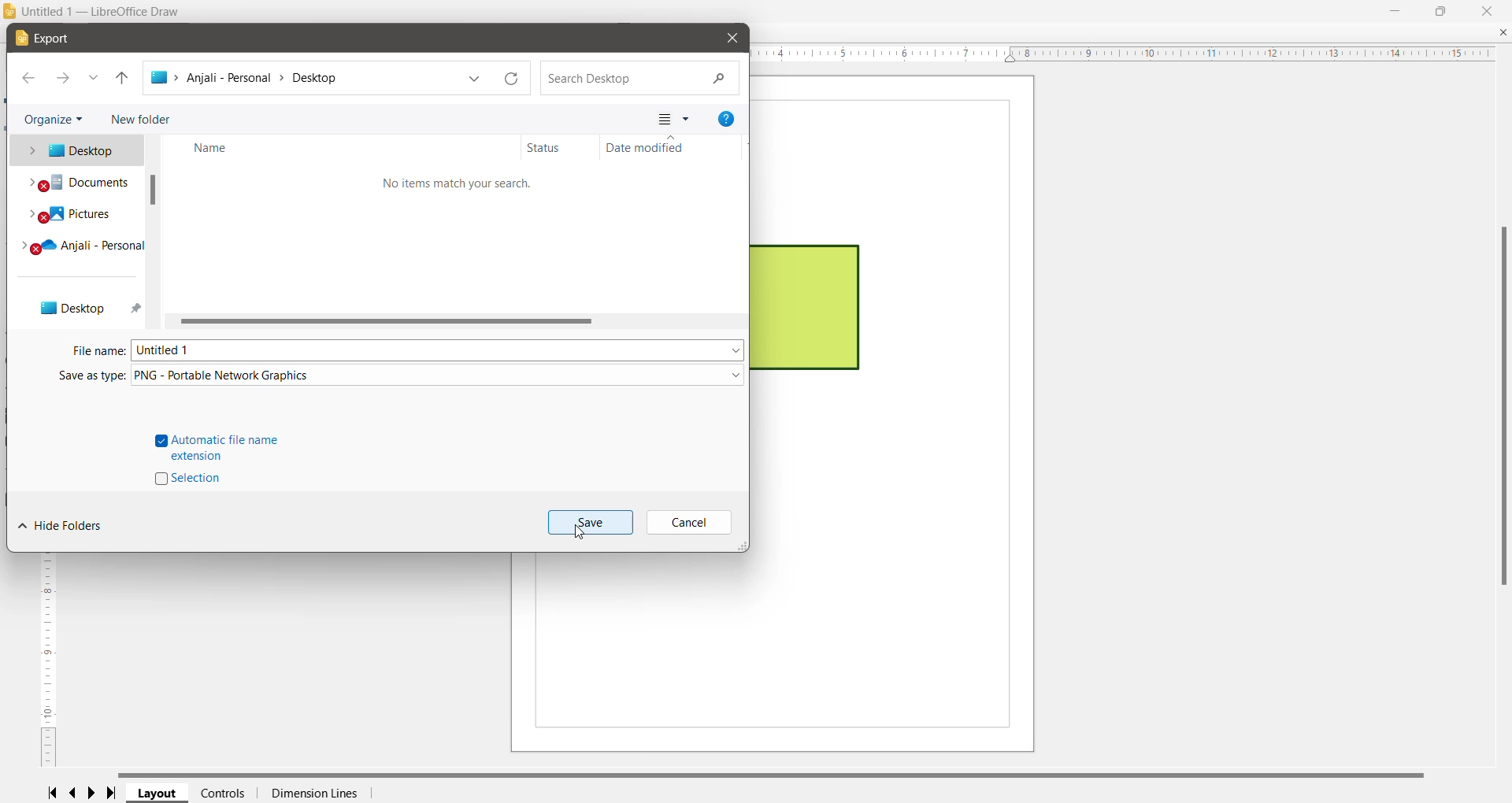  Describe the element at coordinates (461, 237) in the screenshot. I see `Contents view in the selected location` at that location.